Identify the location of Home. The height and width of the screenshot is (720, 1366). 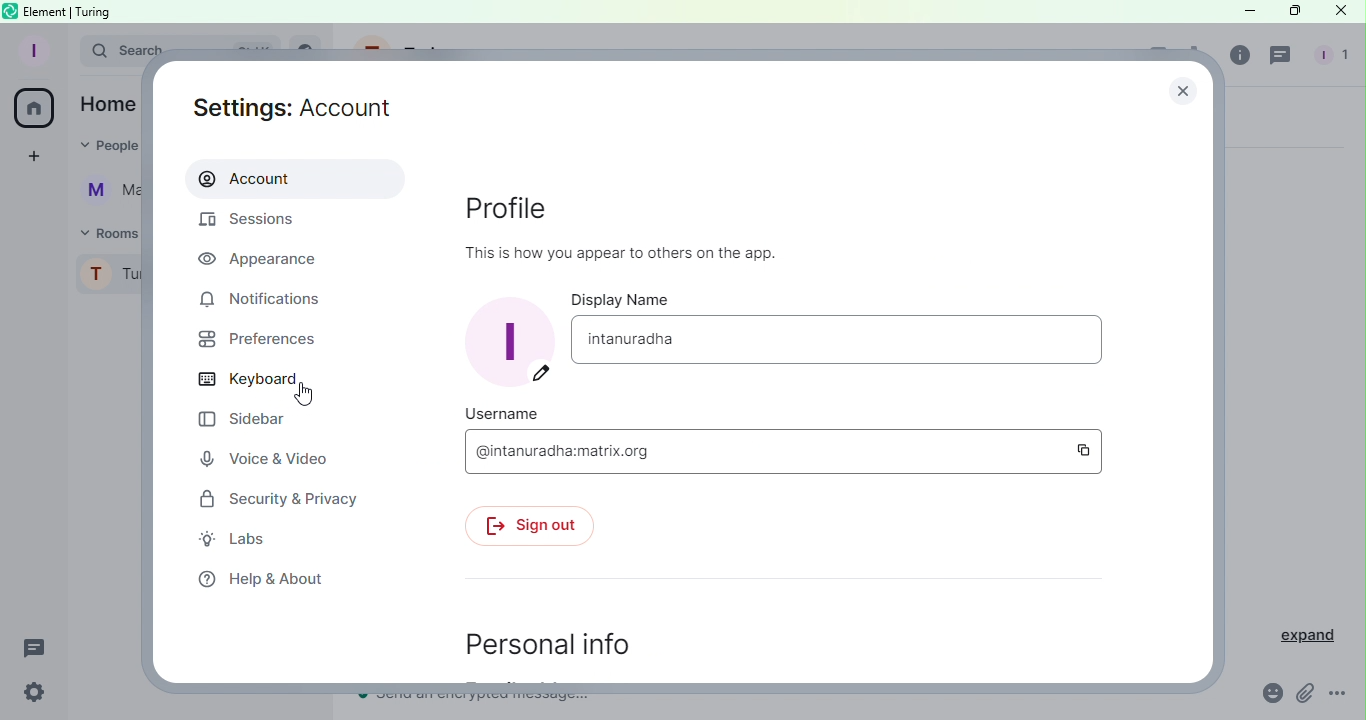
(105, 104).